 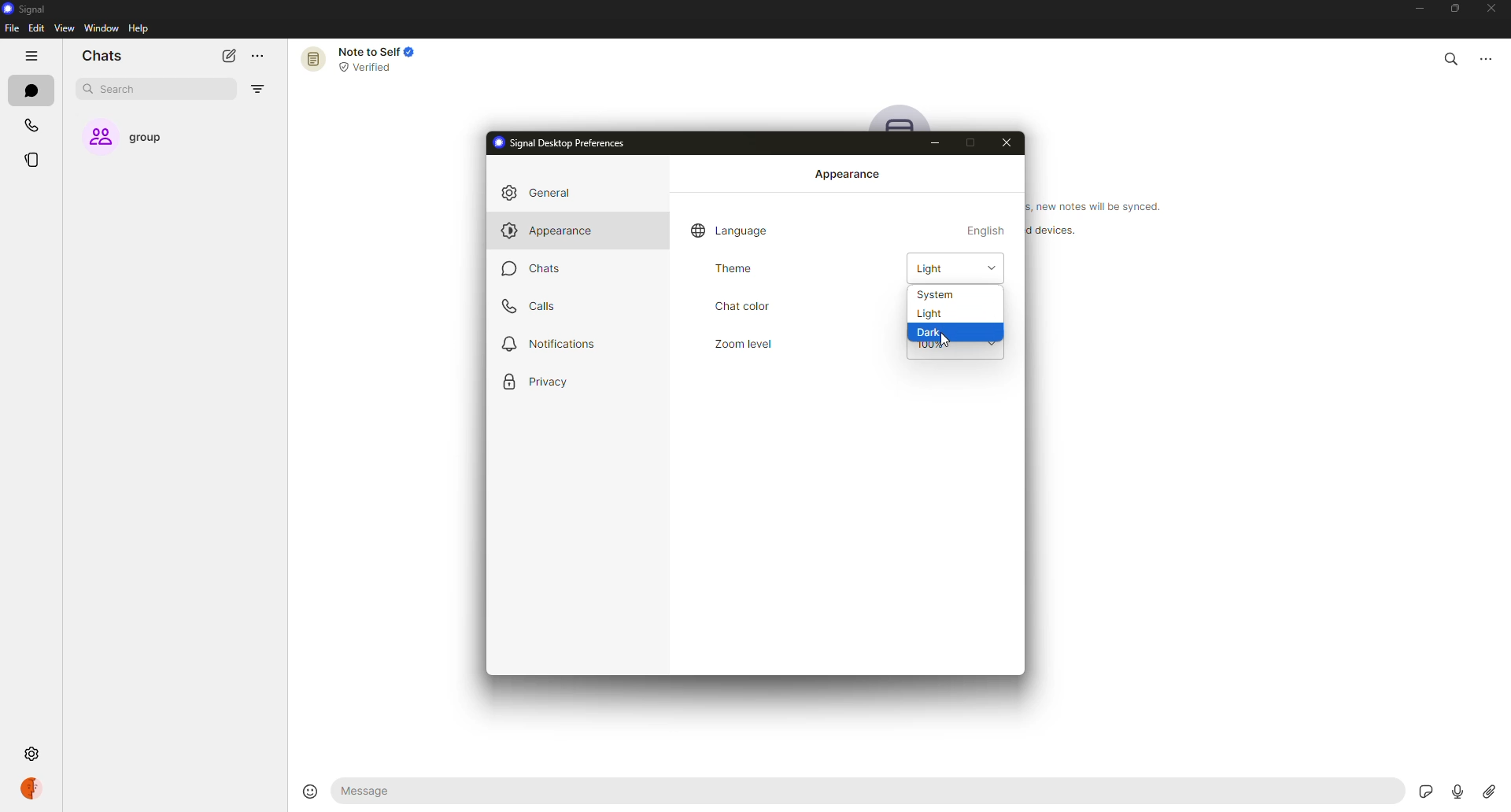 What do you see at coordinates (742, 343) in the screenshot?
I see `zoom level` at bounding box center [742, 343].